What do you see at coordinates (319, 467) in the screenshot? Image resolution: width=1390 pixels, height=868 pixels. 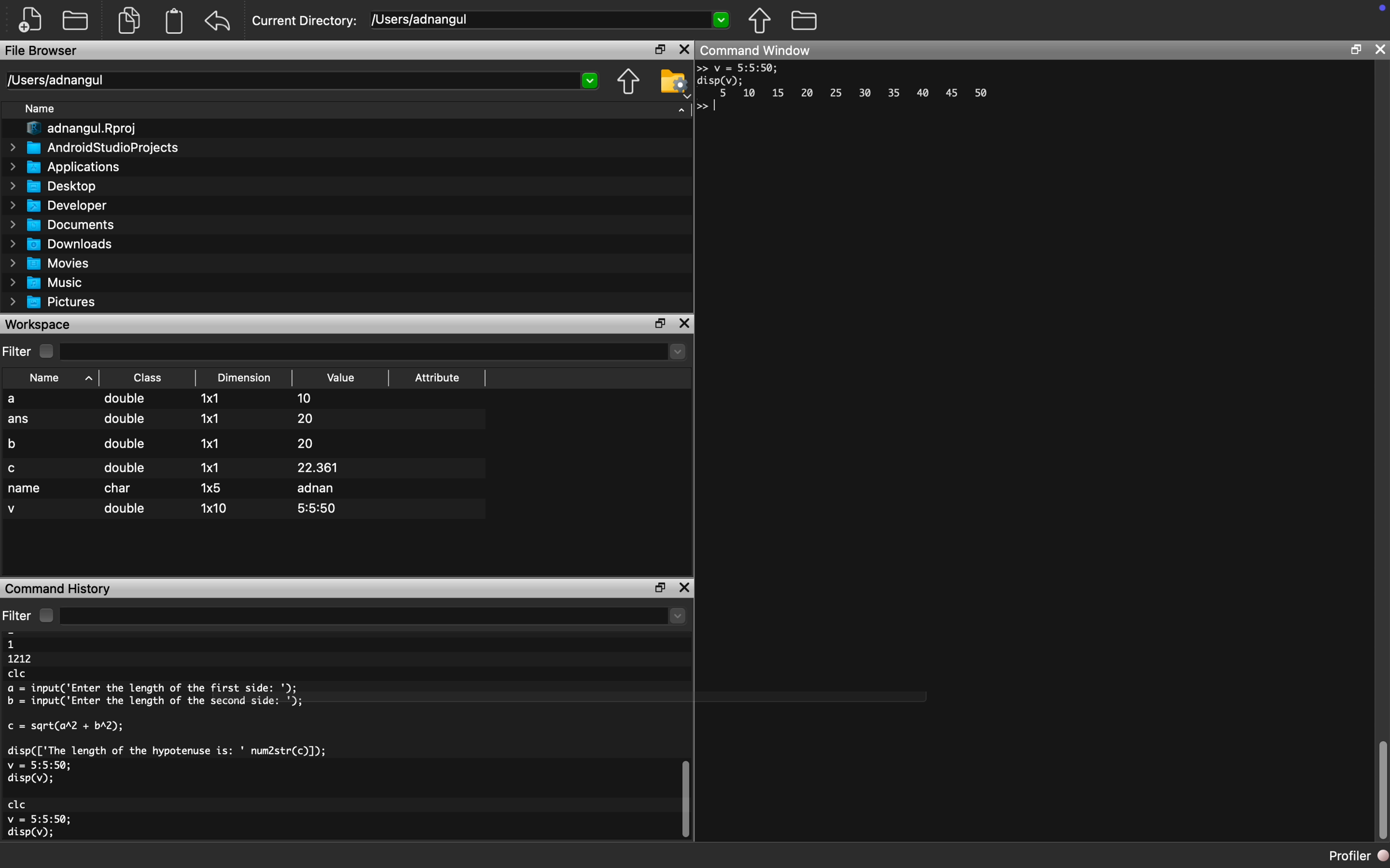 I see `22.361` at bounding box center [319, 467].